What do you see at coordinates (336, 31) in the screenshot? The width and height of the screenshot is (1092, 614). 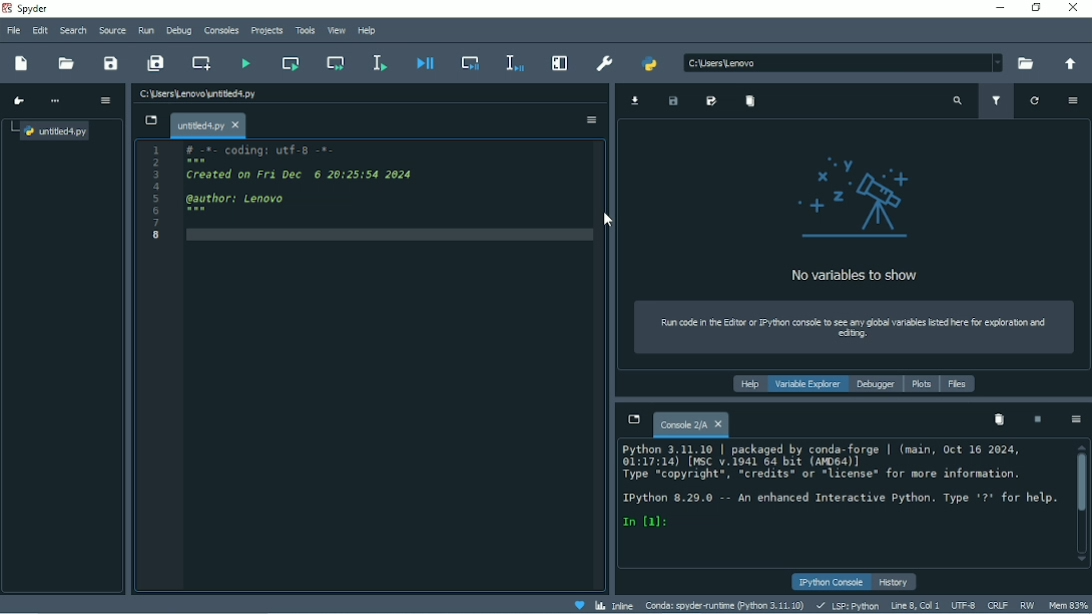 I see `View` at bounding box center [336, 31].